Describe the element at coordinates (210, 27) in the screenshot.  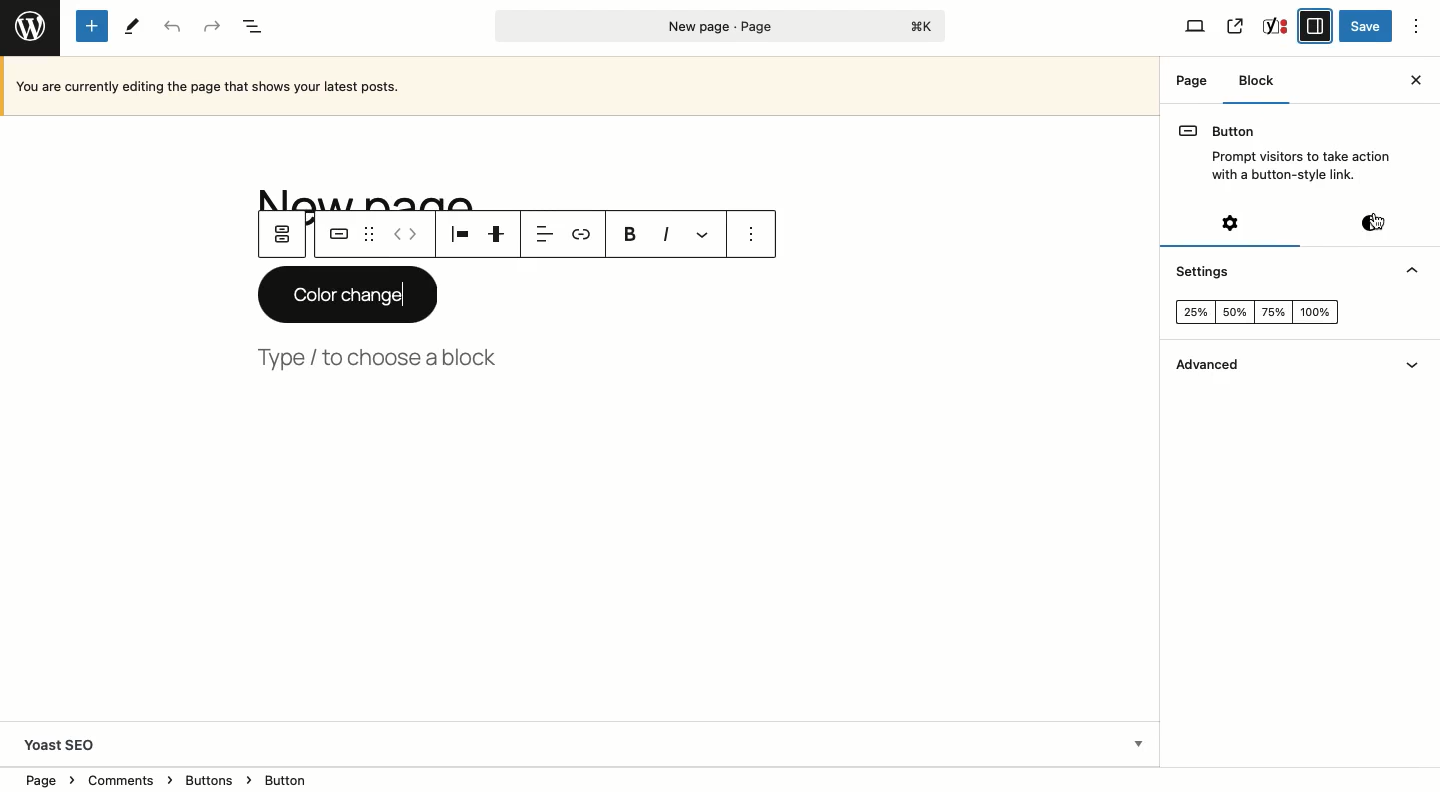
I see `Redo` at that location.